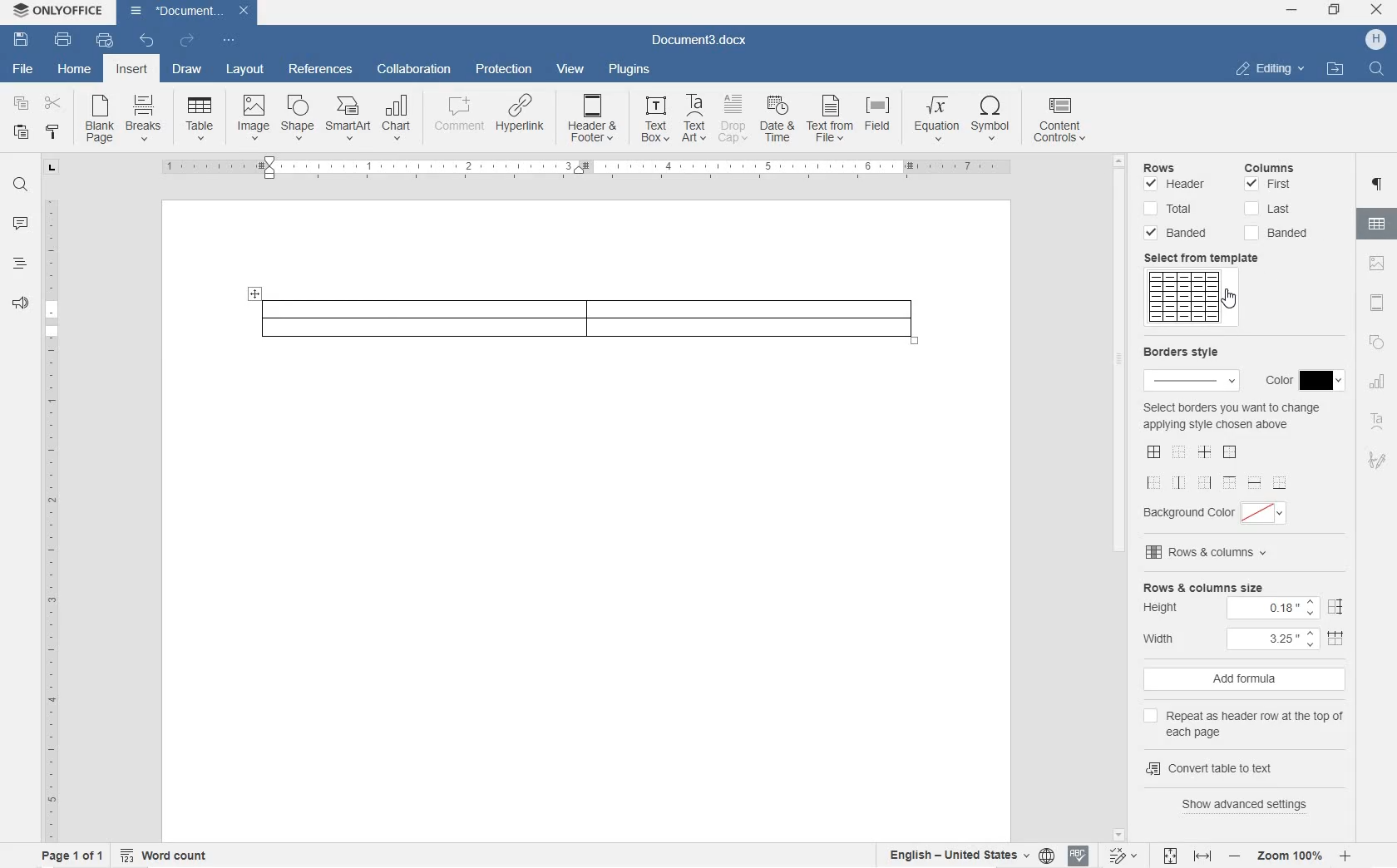 This screenshot has width=1397, height=868. Describe the element at coordinates (1209, 258) in the screenshot. I see `select from template` at that location.